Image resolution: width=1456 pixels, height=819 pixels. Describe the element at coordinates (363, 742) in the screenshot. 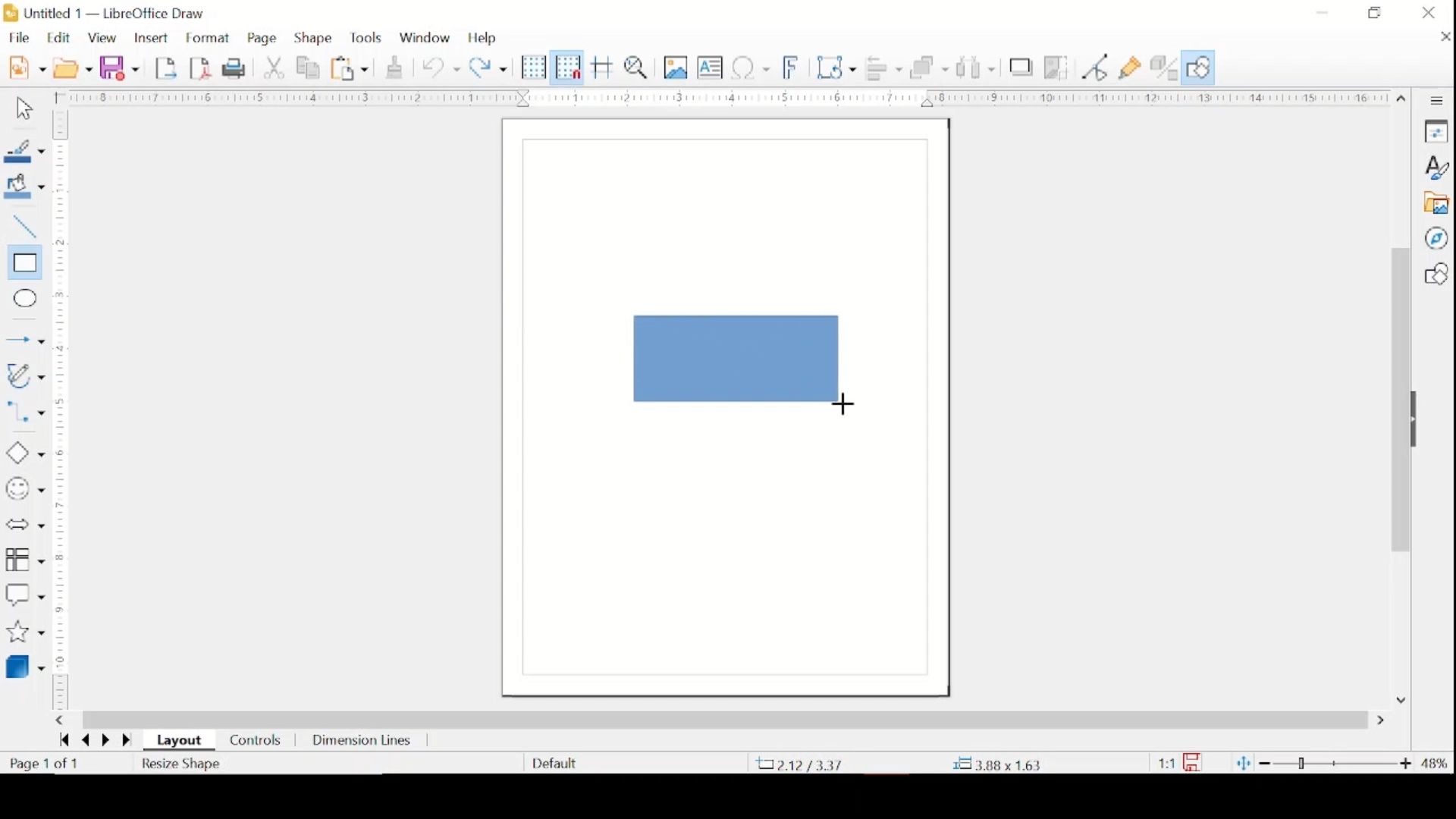

I see `dimension lines` at that location.